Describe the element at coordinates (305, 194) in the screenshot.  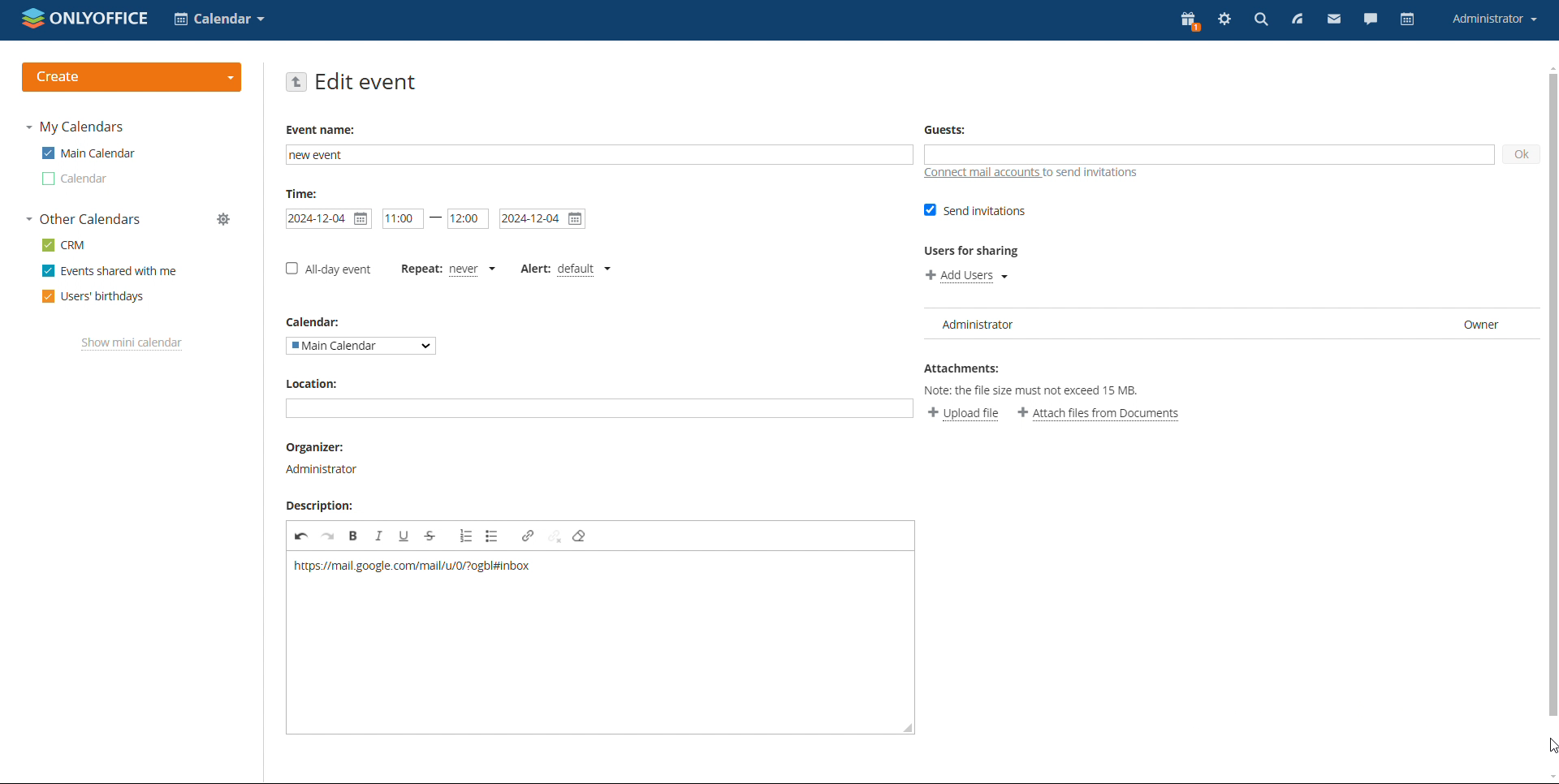
I see `Time:` at that location.